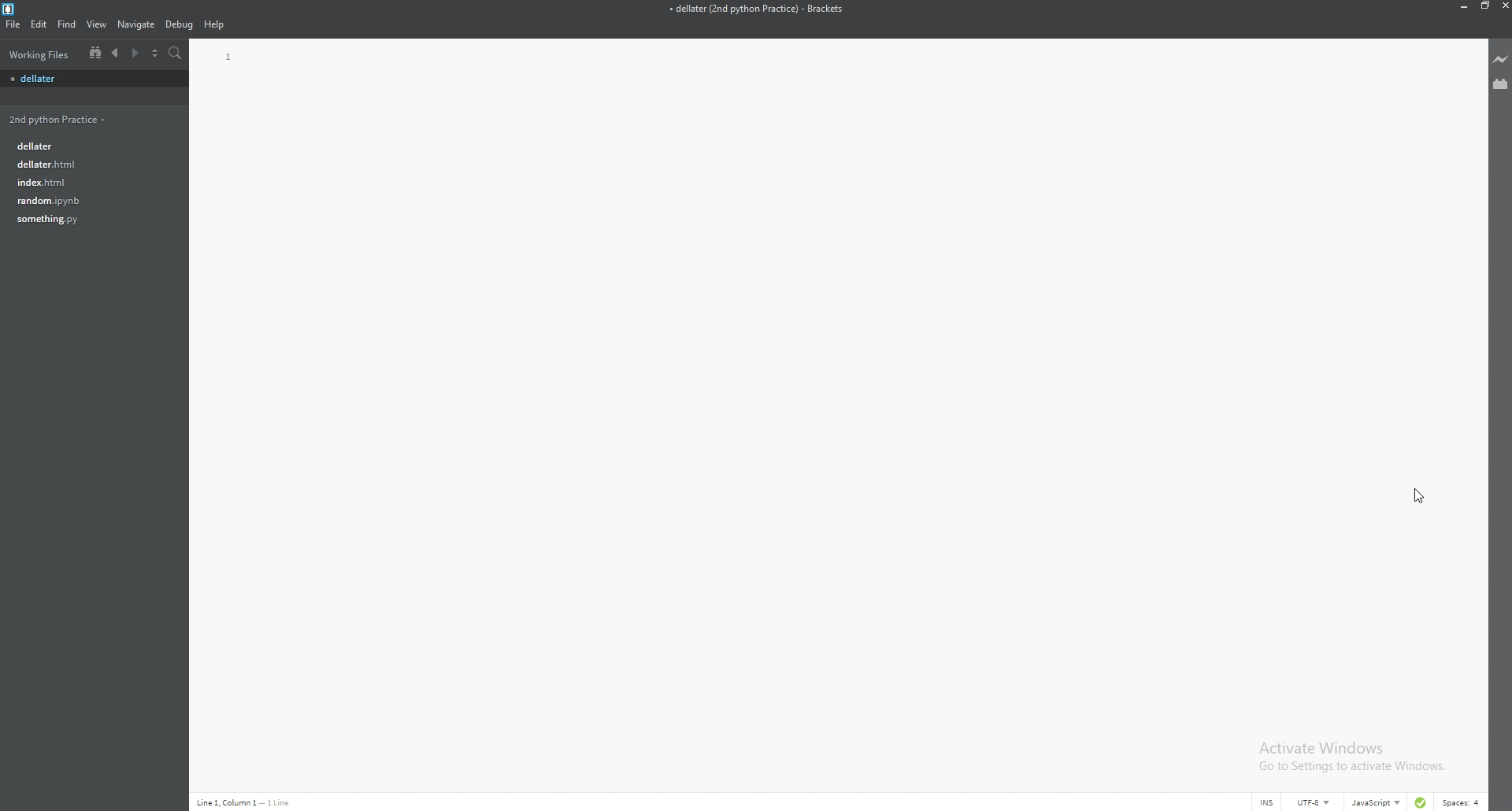 This screenshot has width=1512, height=811. Describe the element at coordinates (180, 24) in the screenshot. I see `debug` at that location.